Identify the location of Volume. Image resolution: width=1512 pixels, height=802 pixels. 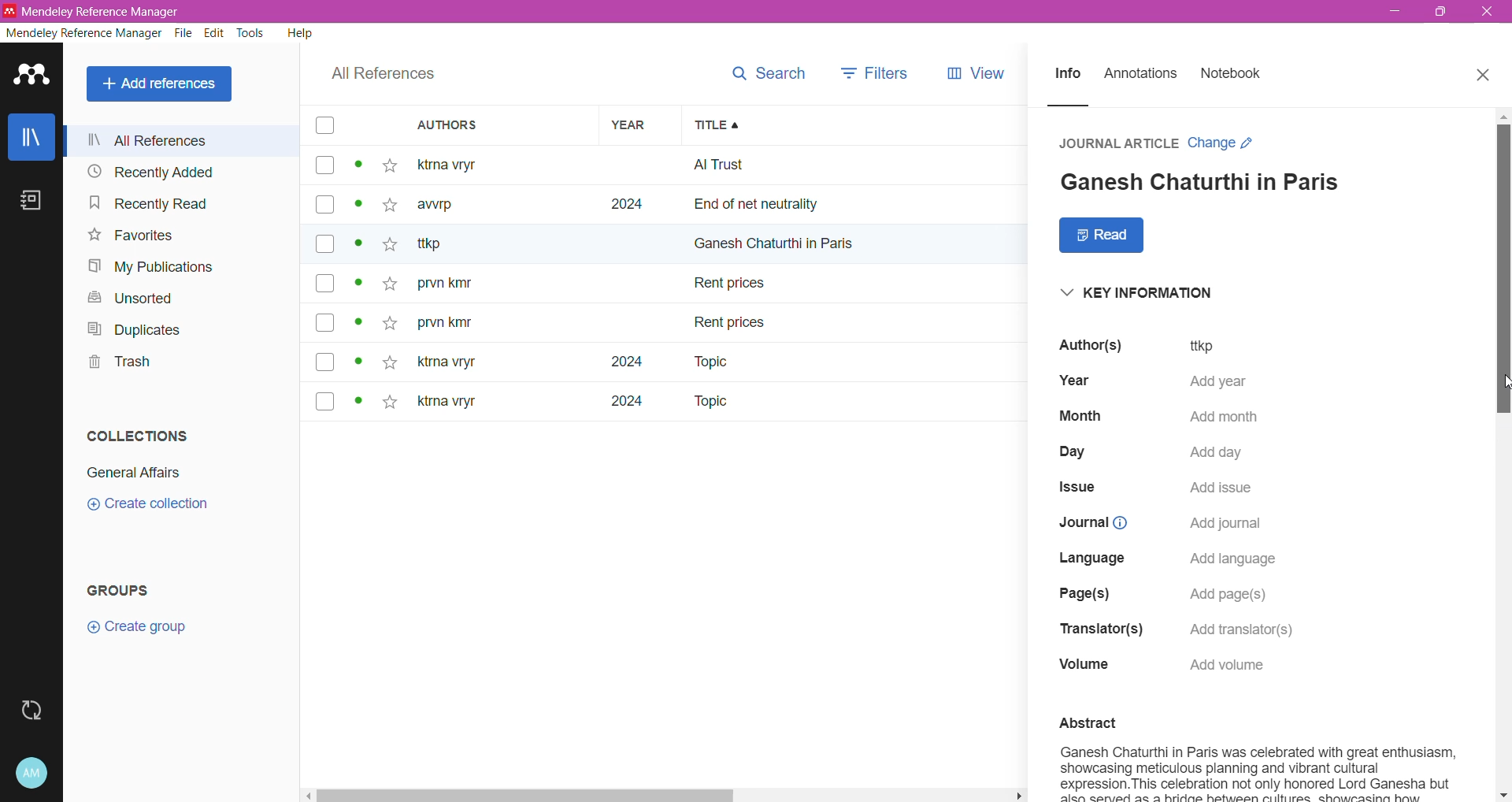
(1078, 666).